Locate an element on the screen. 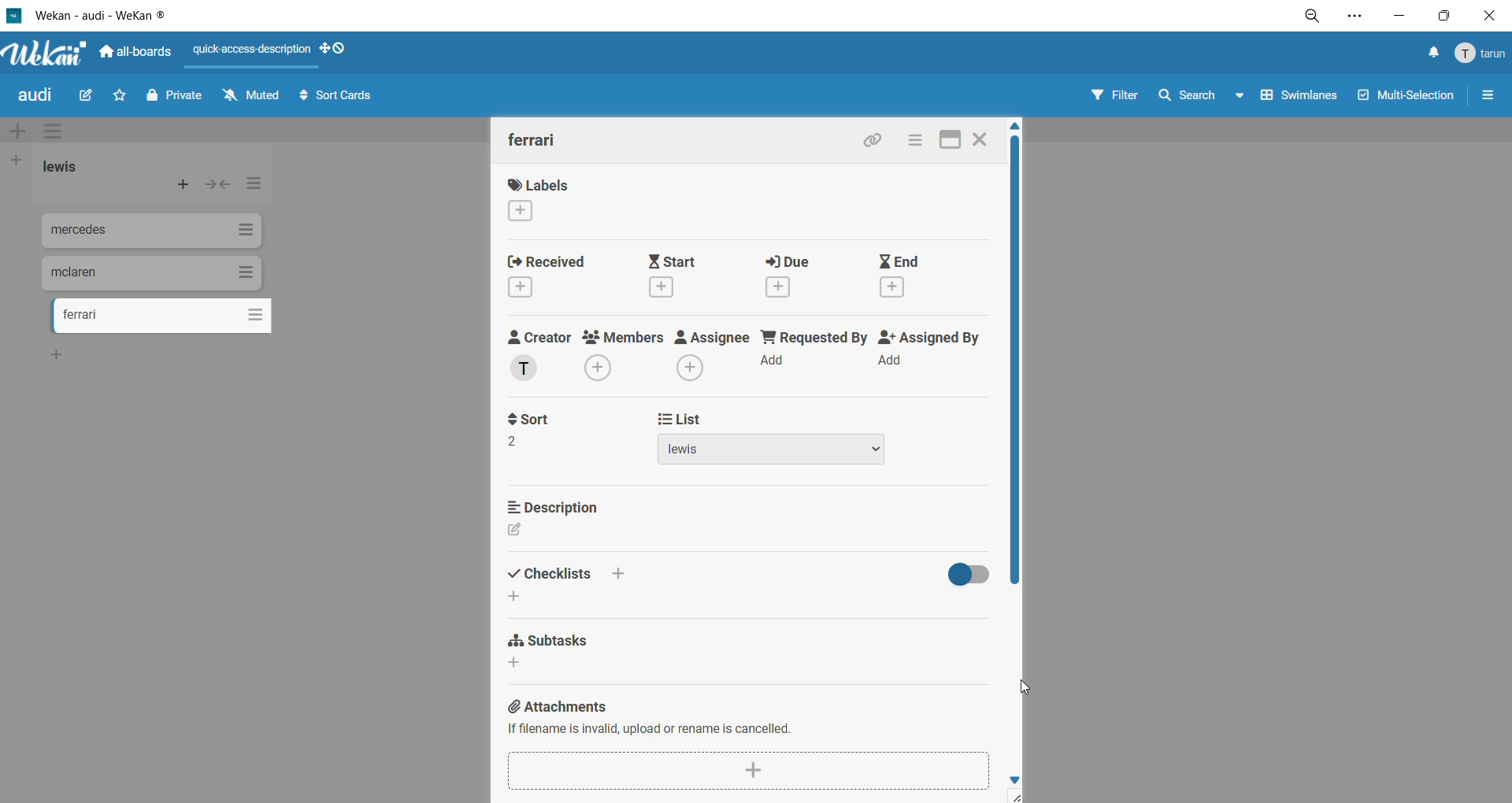 The height and width of the screenshot is (803, 1512). show desktop drag handles is located at coordinates (335, 50).